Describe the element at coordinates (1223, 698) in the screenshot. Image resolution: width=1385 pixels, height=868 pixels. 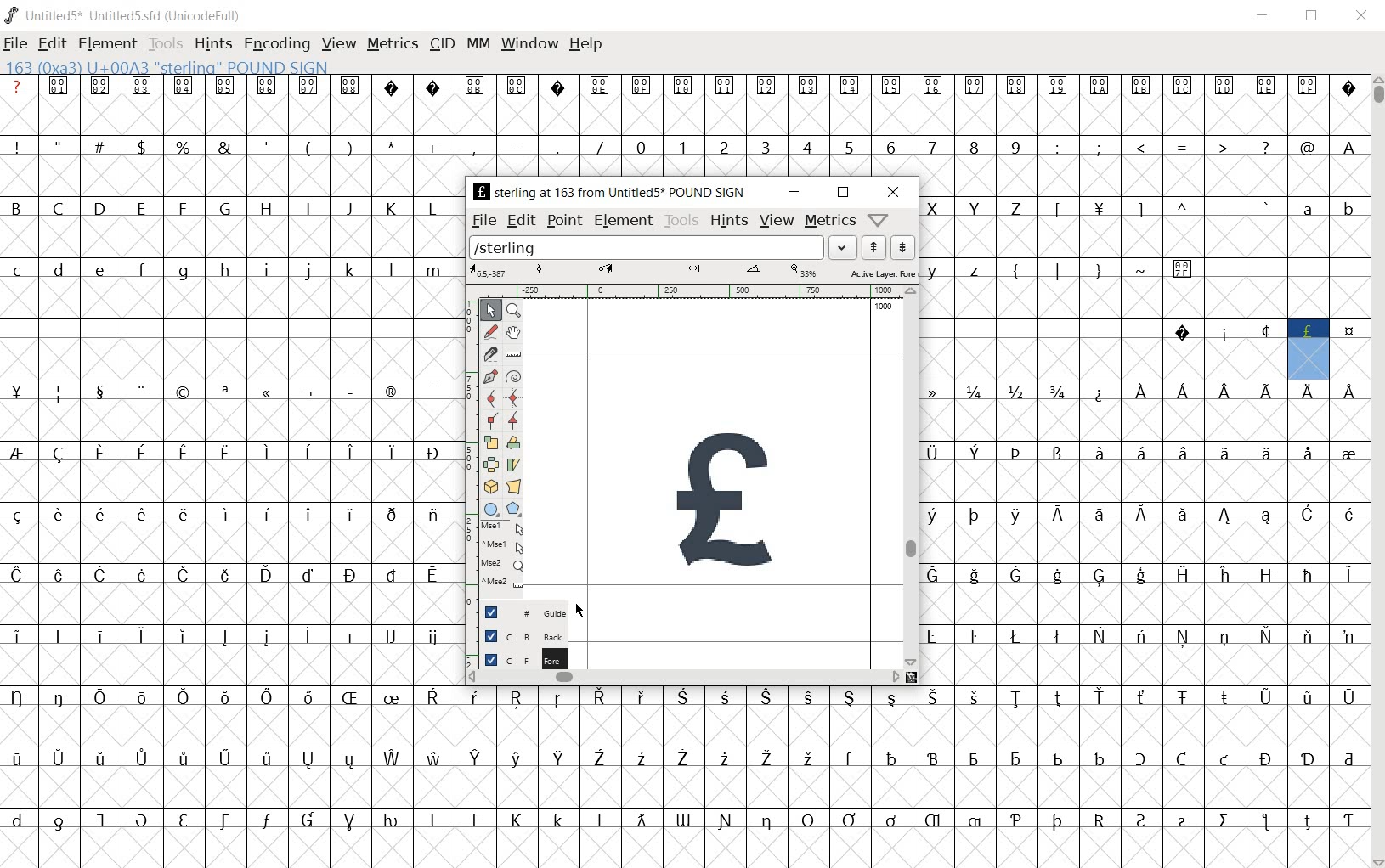
I see `Symbol` at that location.